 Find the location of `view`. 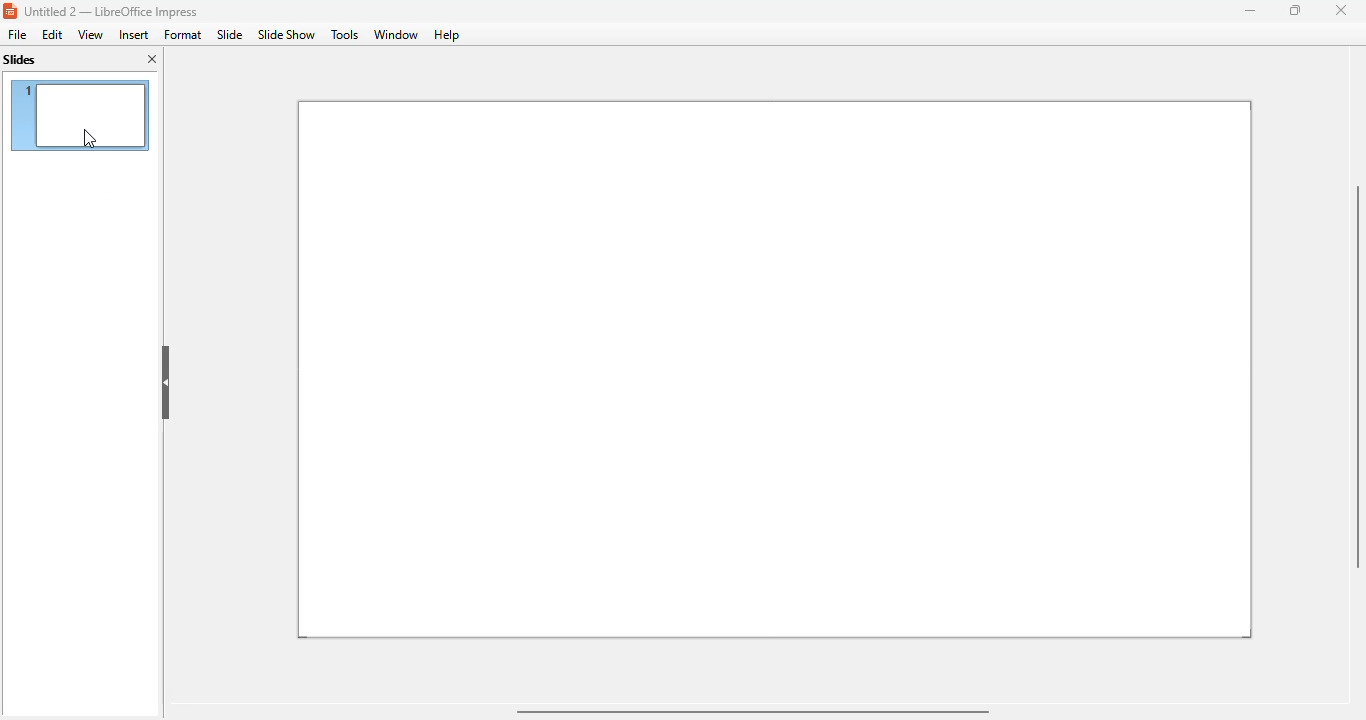

view is located at coordinates (90, 34).